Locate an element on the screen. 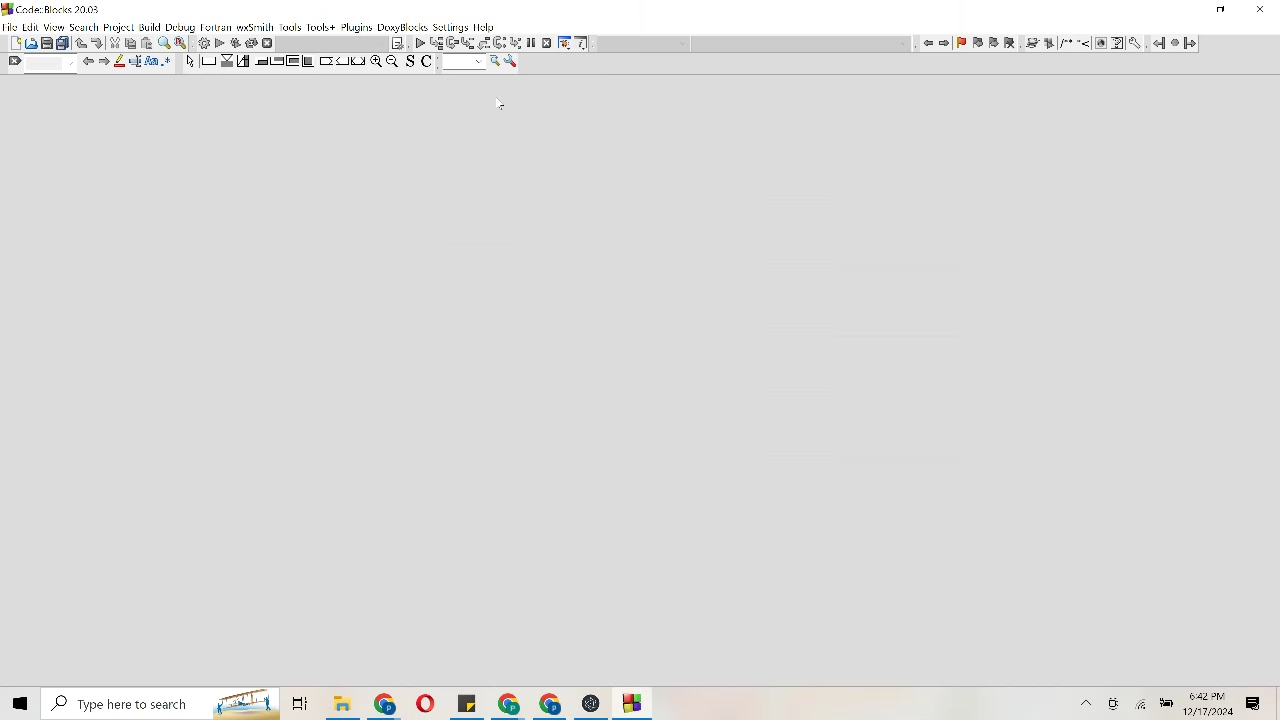 Image resolution: width=1280 pixels, height=720 pixels. move right is located at coordinates (945, 43).